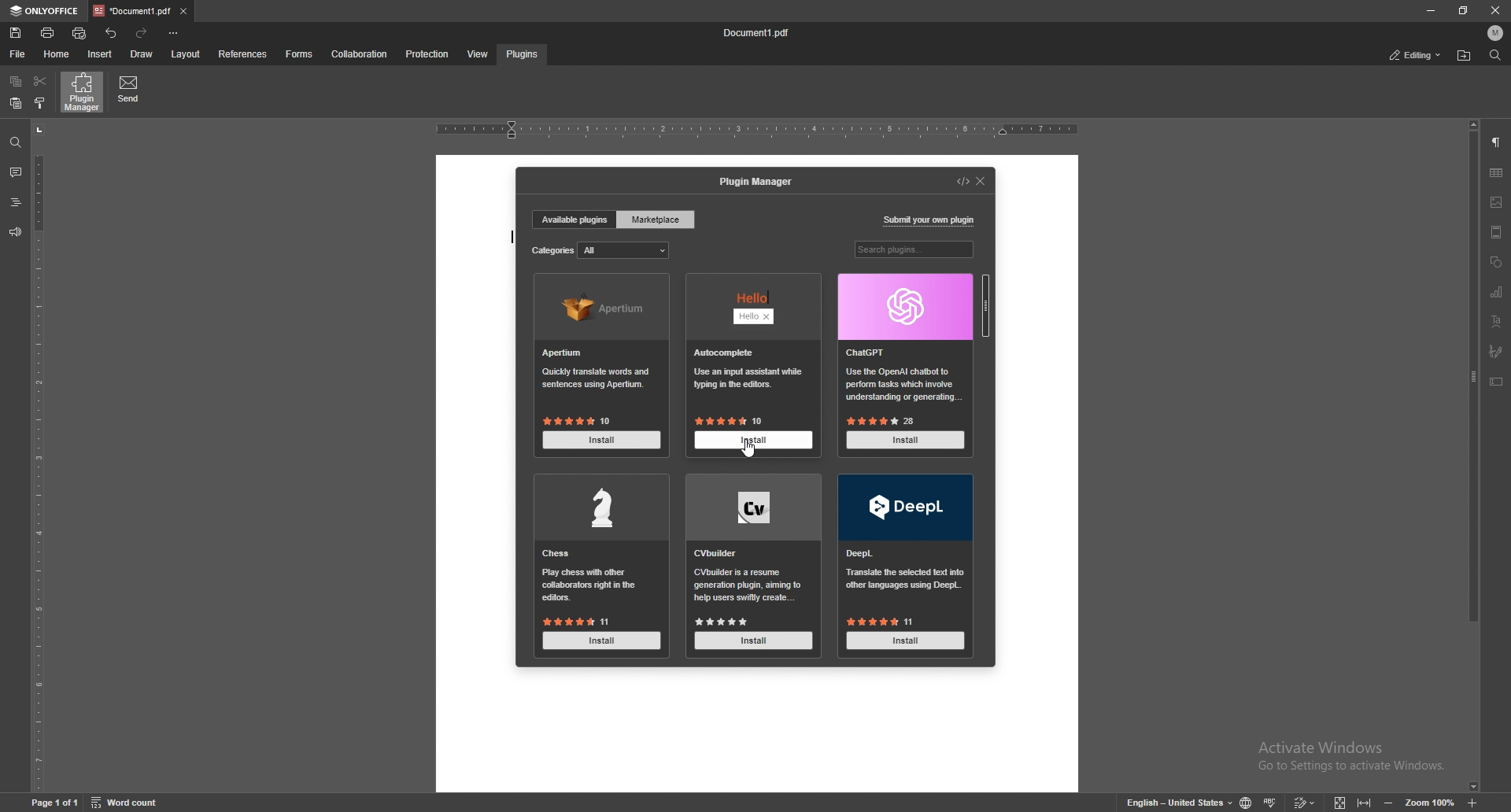 The width and height of the screenshot is (1511, 812). Describe the element at coordinates (1246, 802) in the screenshot. I see `change doc language` at that location.